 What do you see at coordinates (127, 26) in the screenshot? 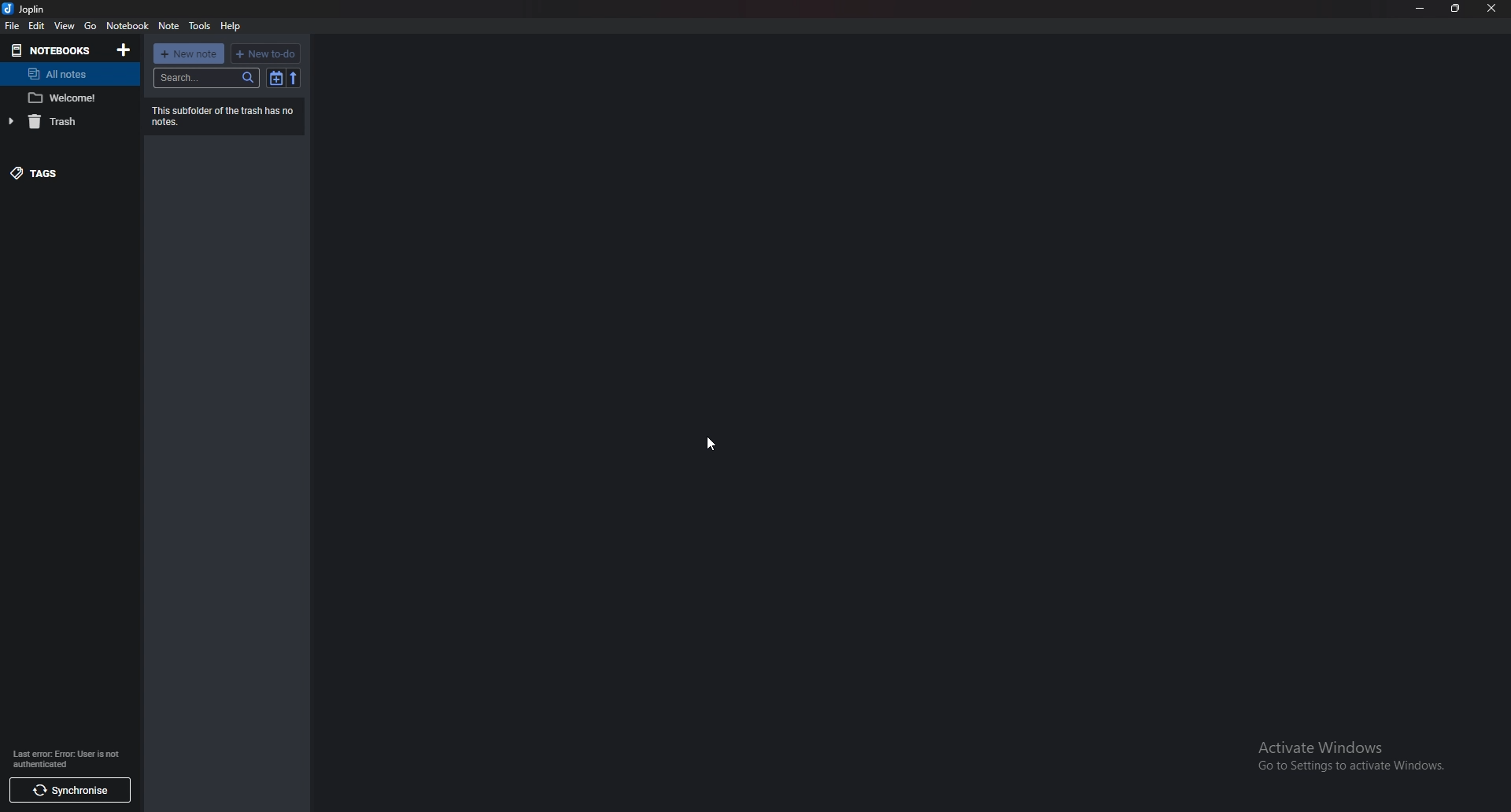
I see `Notebook` at bounding box center [127, 26].